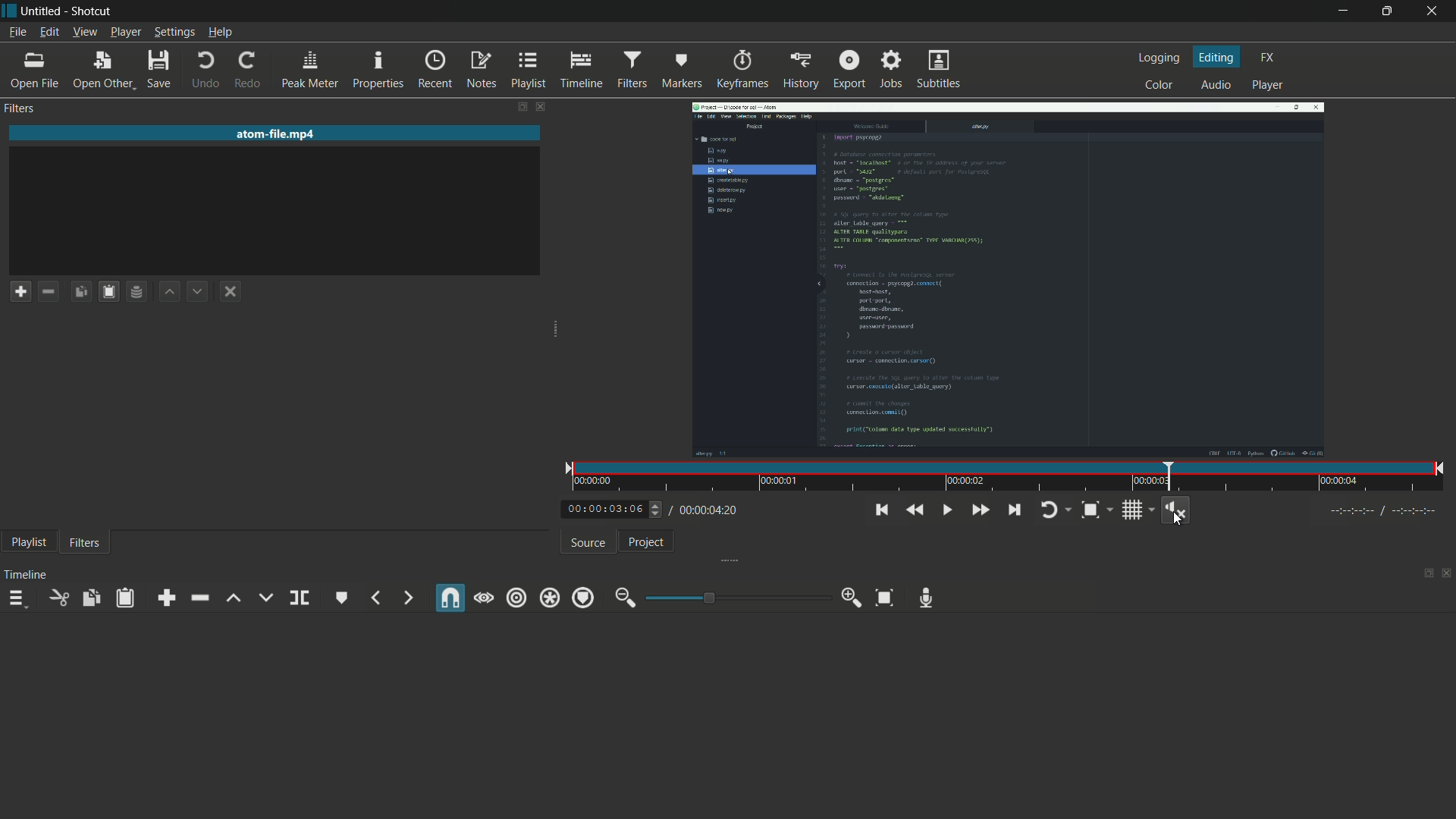  Describe the element at coordinates (927, 598) in the screenshot. I see `record audio` at that location.